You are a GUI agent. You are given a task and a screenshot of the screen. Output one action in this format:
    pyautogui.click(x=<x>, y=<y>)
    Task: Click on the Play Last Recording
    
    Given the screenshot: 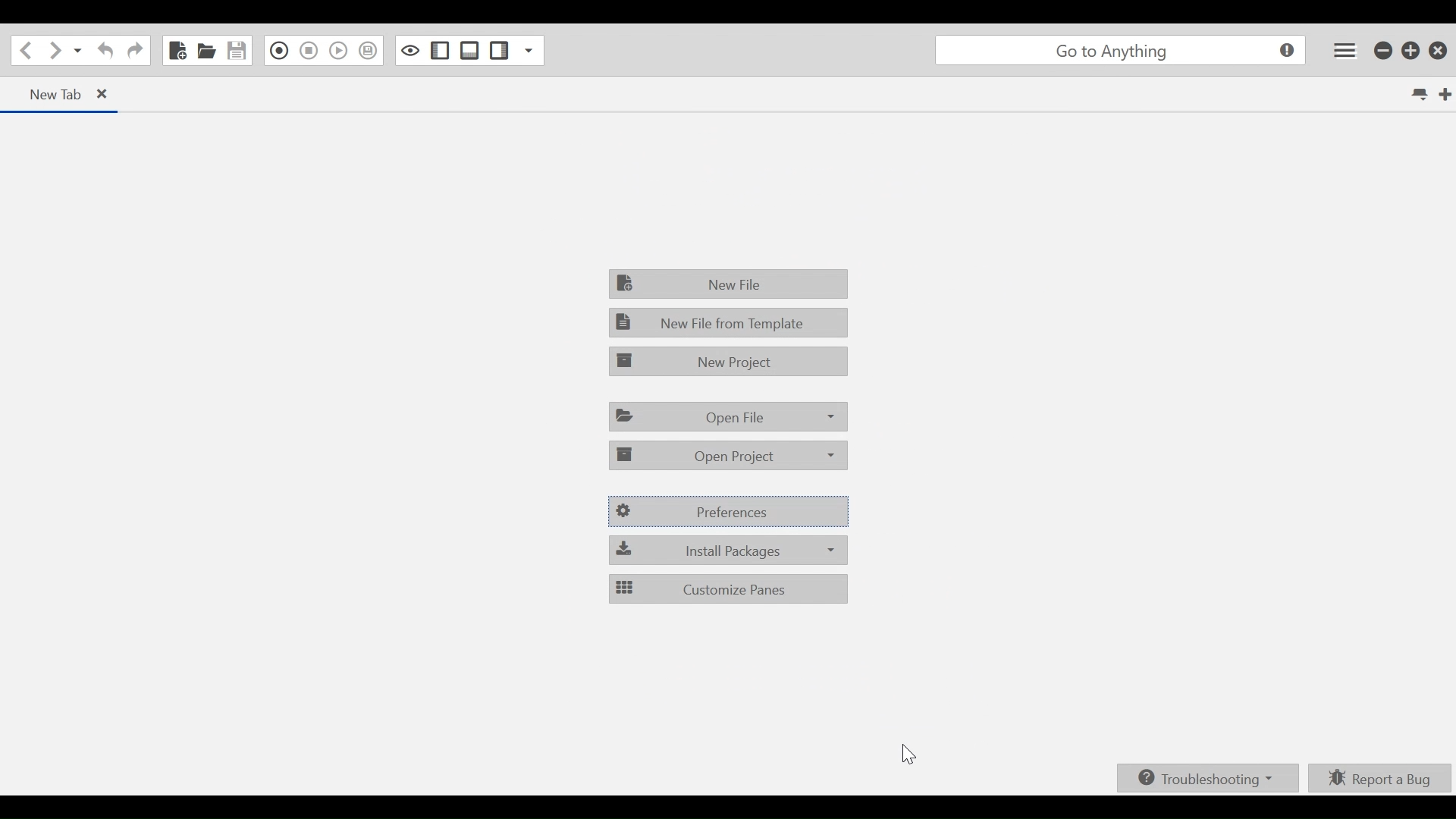 What is the action you would take?
    pyautogui.click(x=337, y=52)
    